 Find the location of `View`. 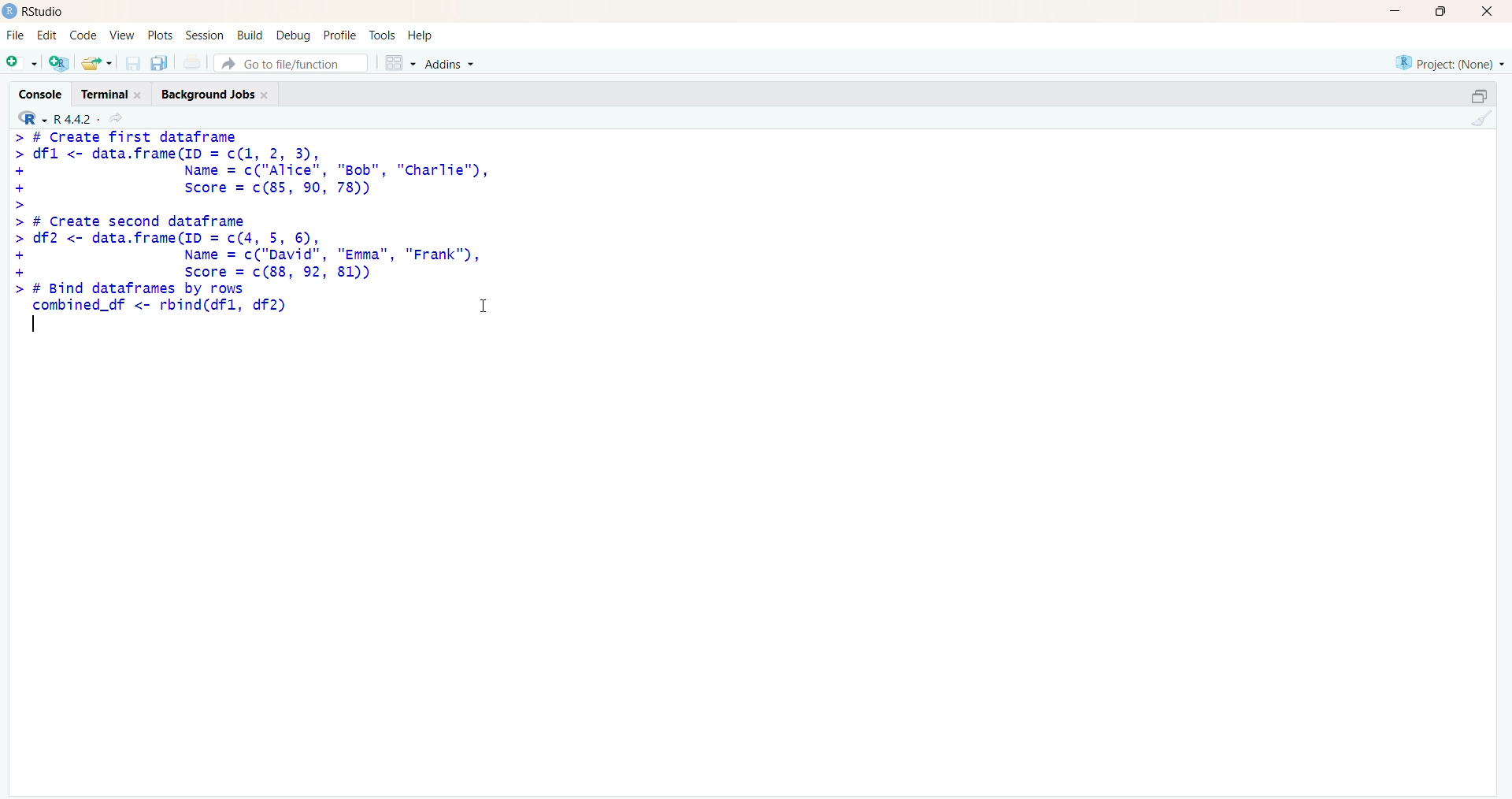

View is located at coordinates (119, 35).